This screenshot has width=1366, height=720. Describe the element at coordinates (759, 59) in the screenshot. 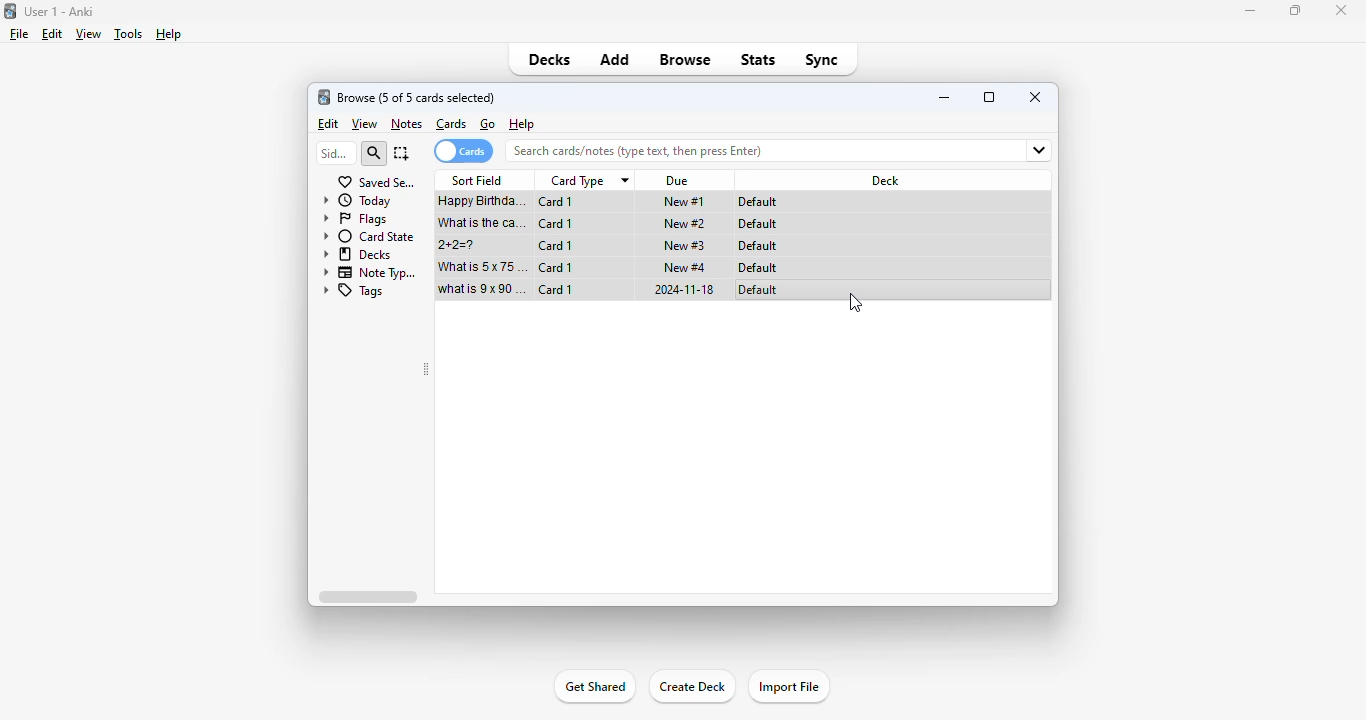

I see `stats` at that location.